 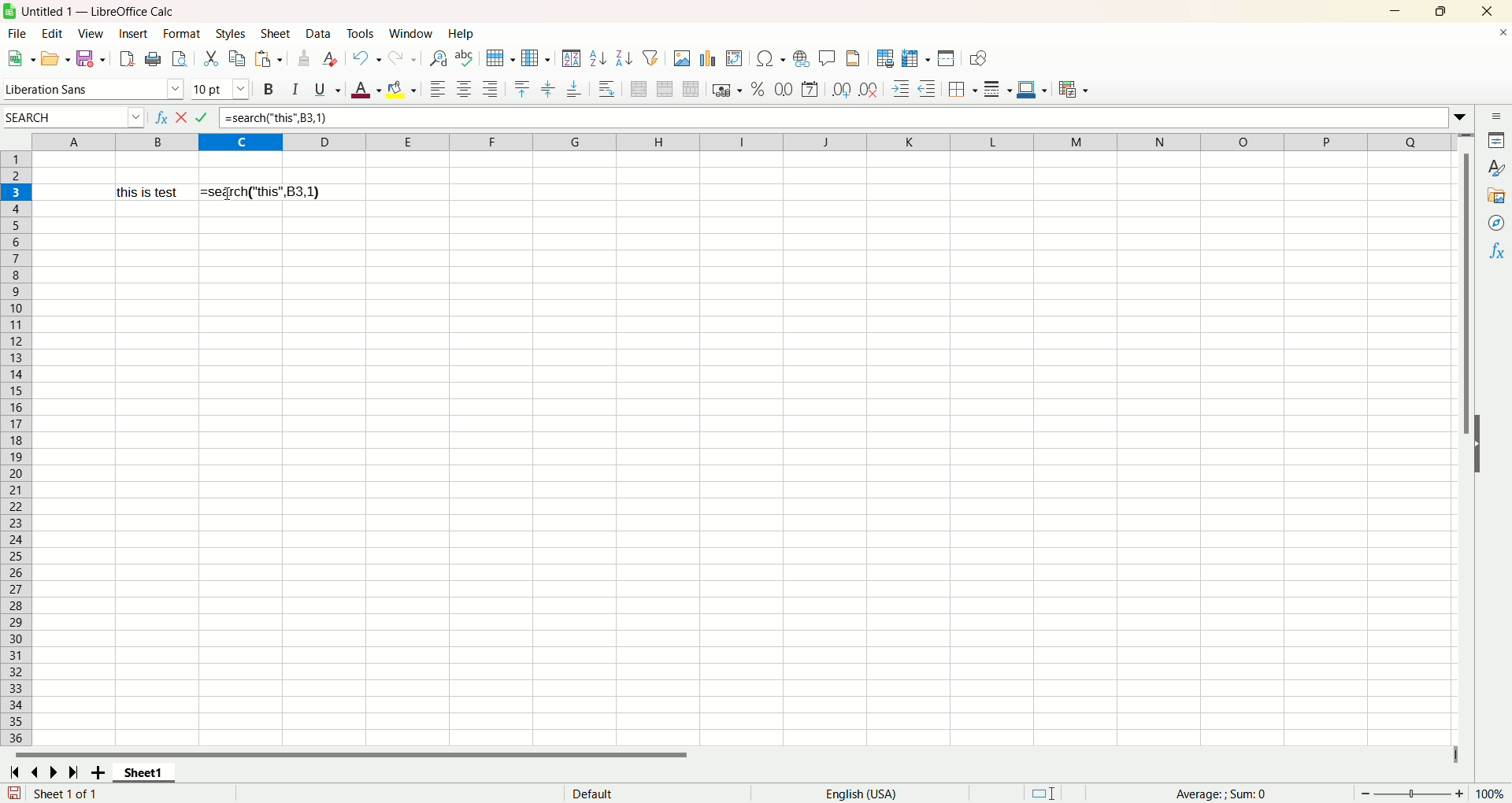 I want to click on siderbar settings, so click(x=1499, y=117).